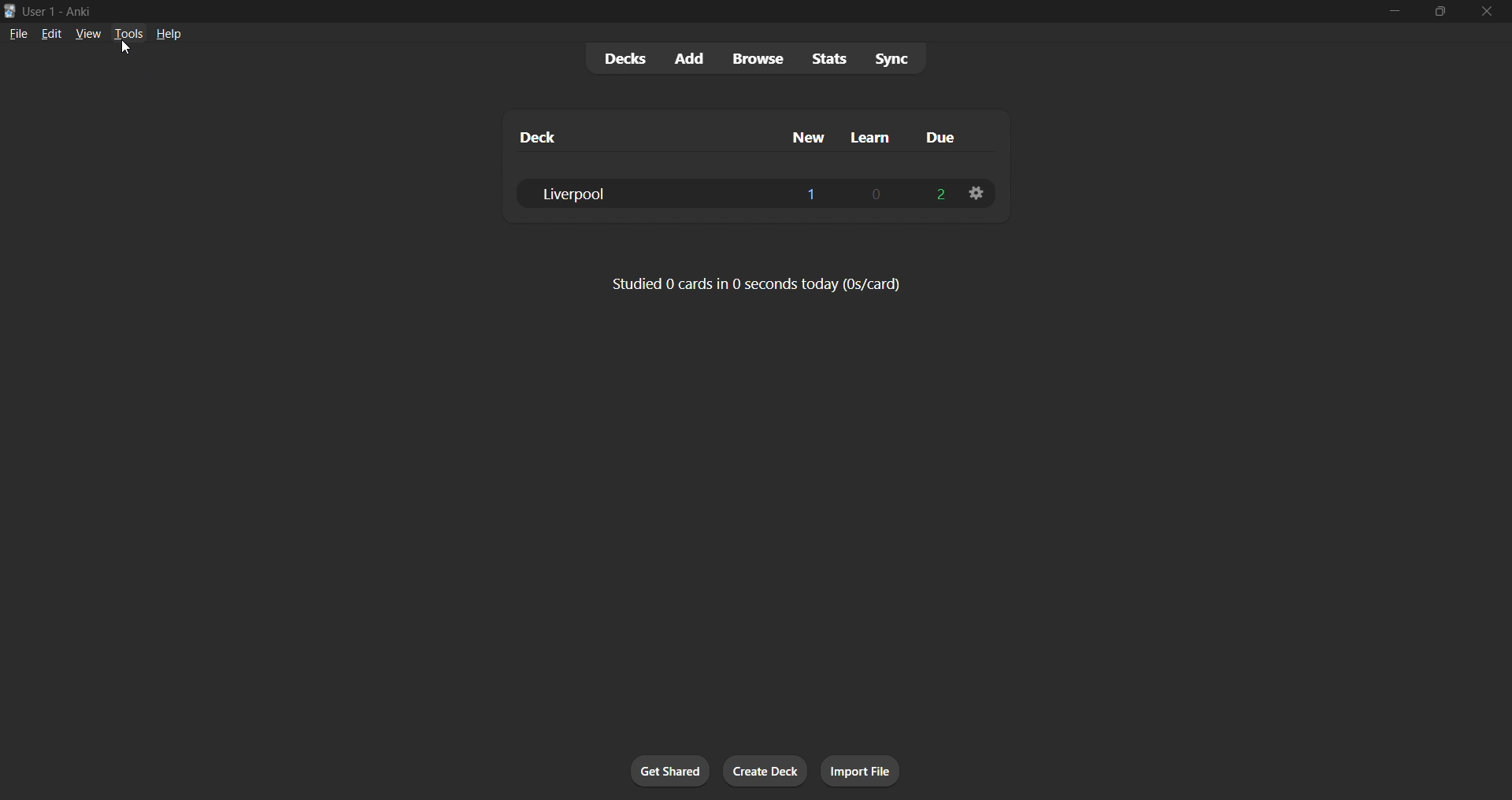 Image resolution: width=1512 pixels, height=800 pixels. Describe the element at coordinates (762, 770) in the screenshot. I see `create deck` at that location.